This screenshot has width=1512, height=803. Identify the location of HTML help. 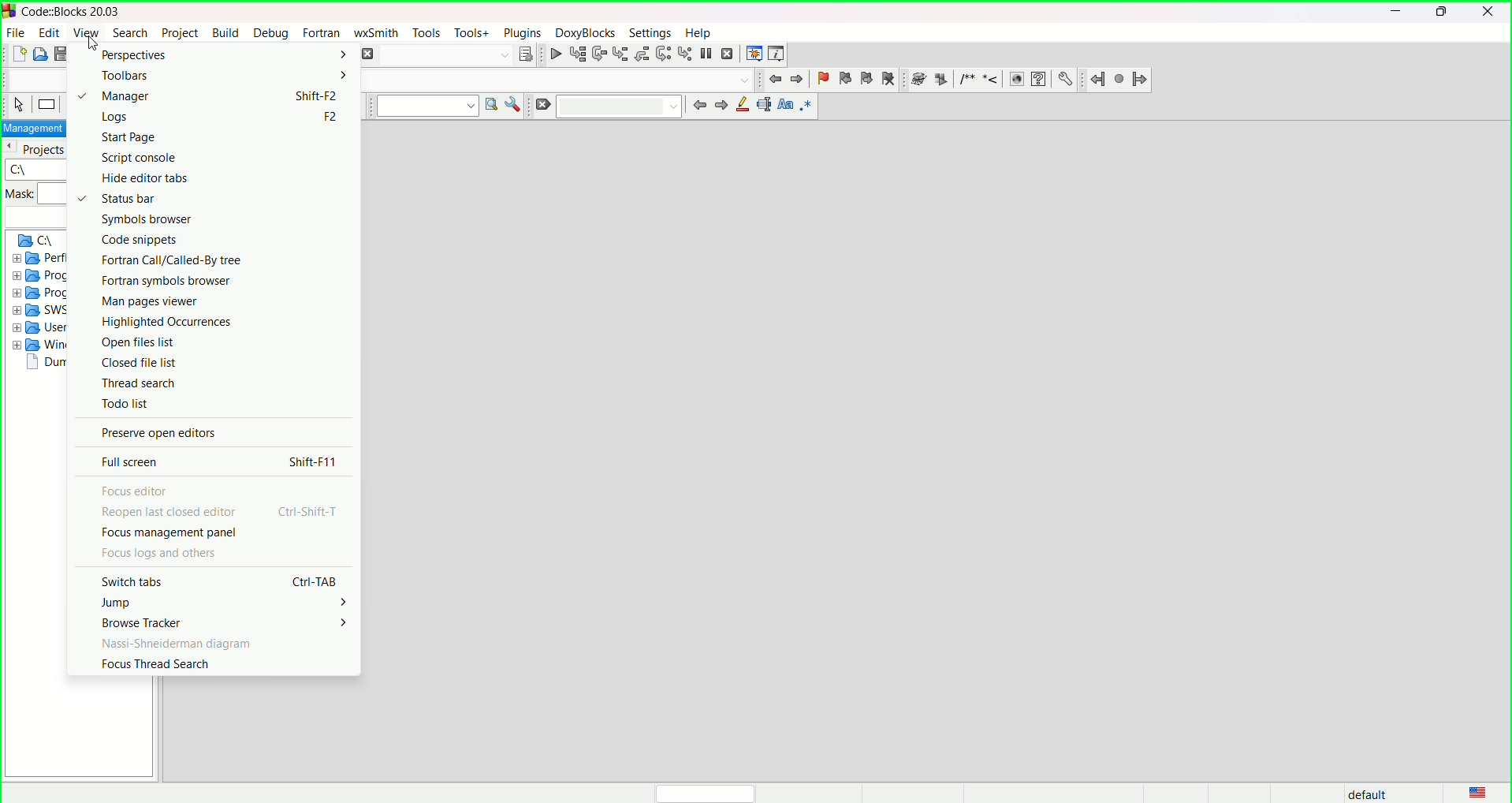
(1037, 79).